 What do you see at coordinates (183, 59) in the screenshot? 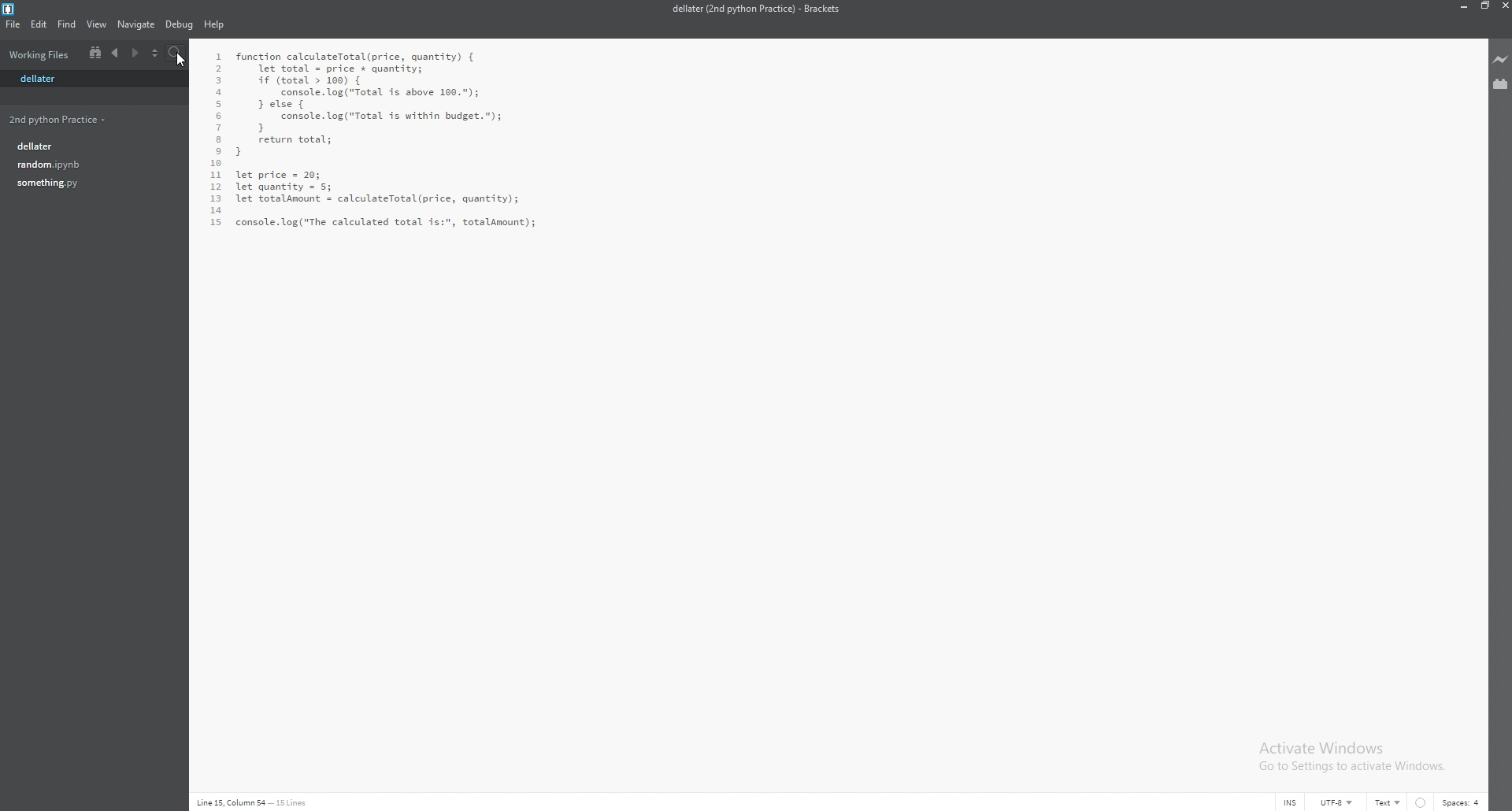
I see `cursor` at bounding box center [183, 59].